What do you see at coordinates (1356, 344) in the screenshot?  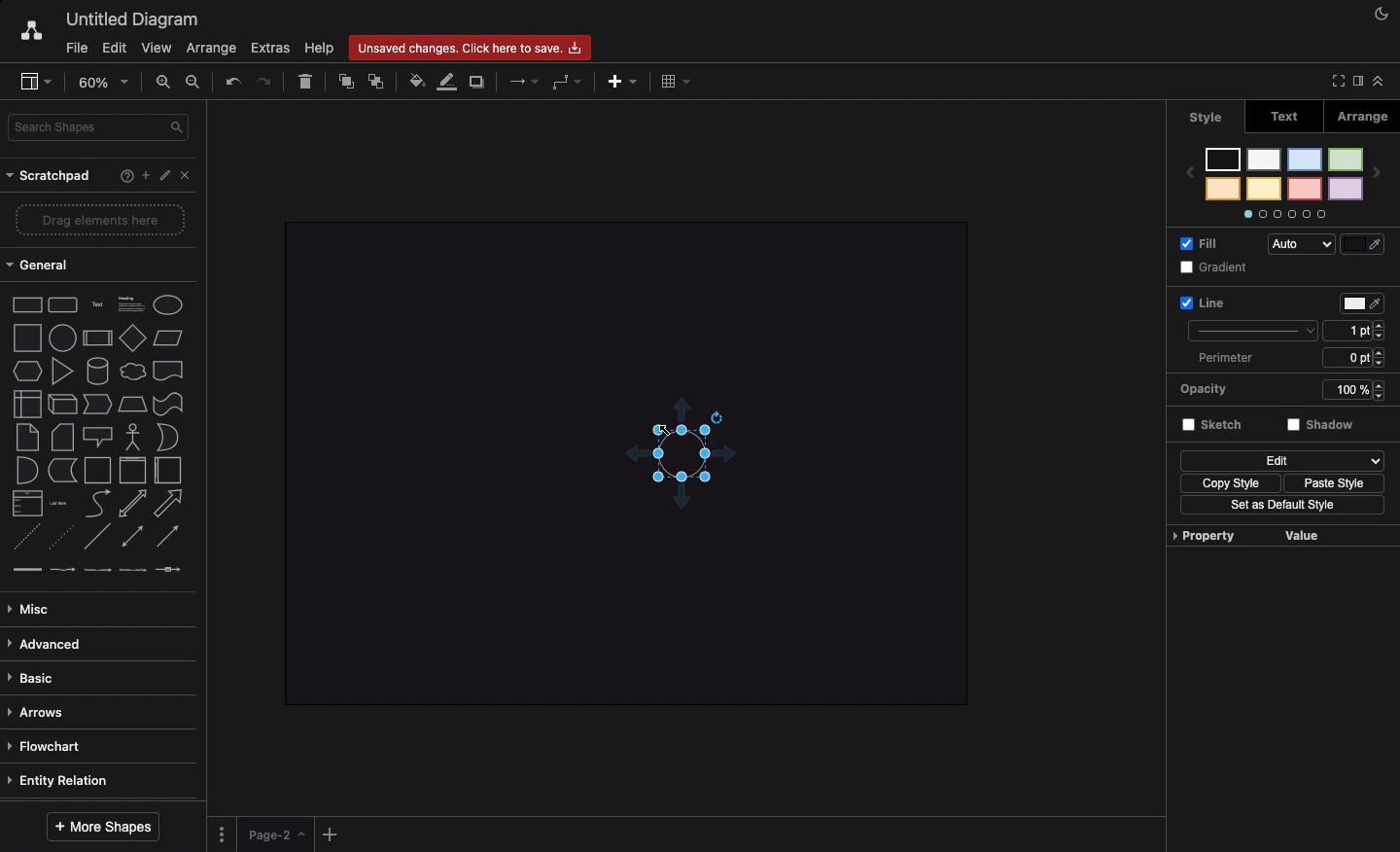 I see `Size` at bounding box center [1356, 344].